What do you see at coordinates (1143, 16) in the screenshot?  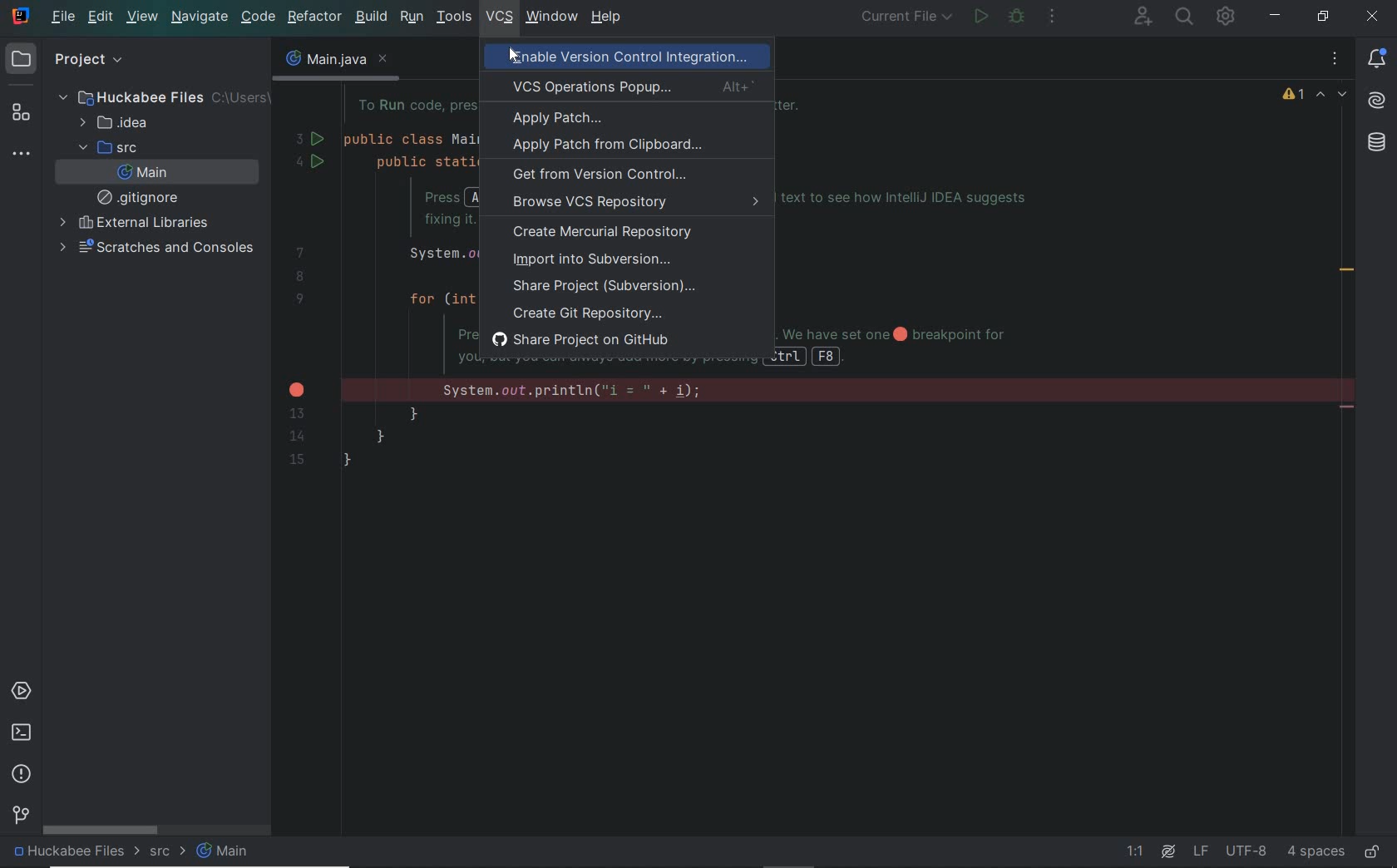 I see `CODE WITH ME` at bounding box center [1143, 16].